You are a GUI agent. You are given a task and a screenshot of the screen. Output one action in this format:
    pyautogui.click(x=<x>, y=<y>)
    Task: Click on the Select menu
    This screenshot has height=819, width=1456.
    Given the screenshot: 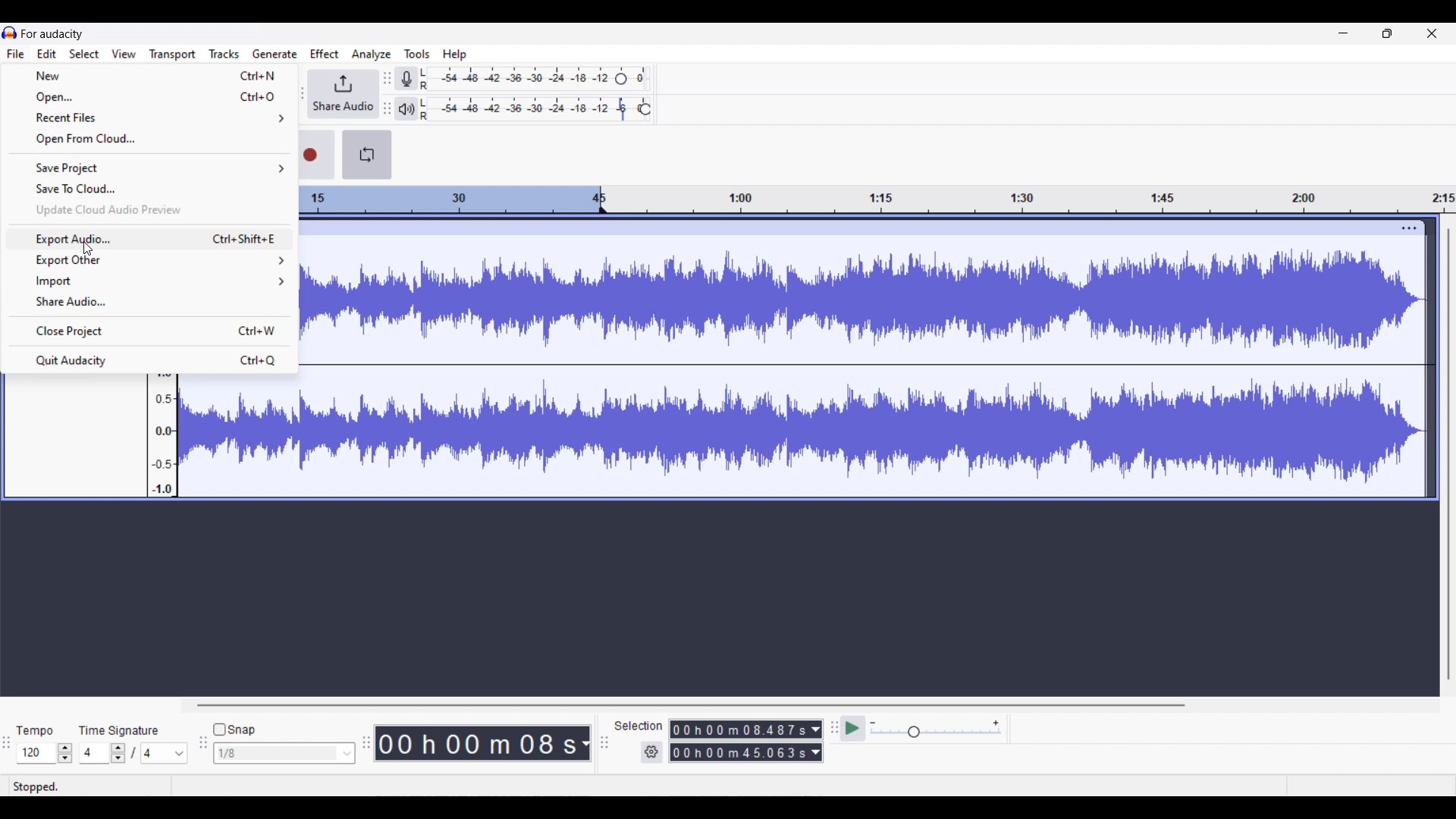 What is the action you would take?
    pyautogui.click(x=84, y=54)
    